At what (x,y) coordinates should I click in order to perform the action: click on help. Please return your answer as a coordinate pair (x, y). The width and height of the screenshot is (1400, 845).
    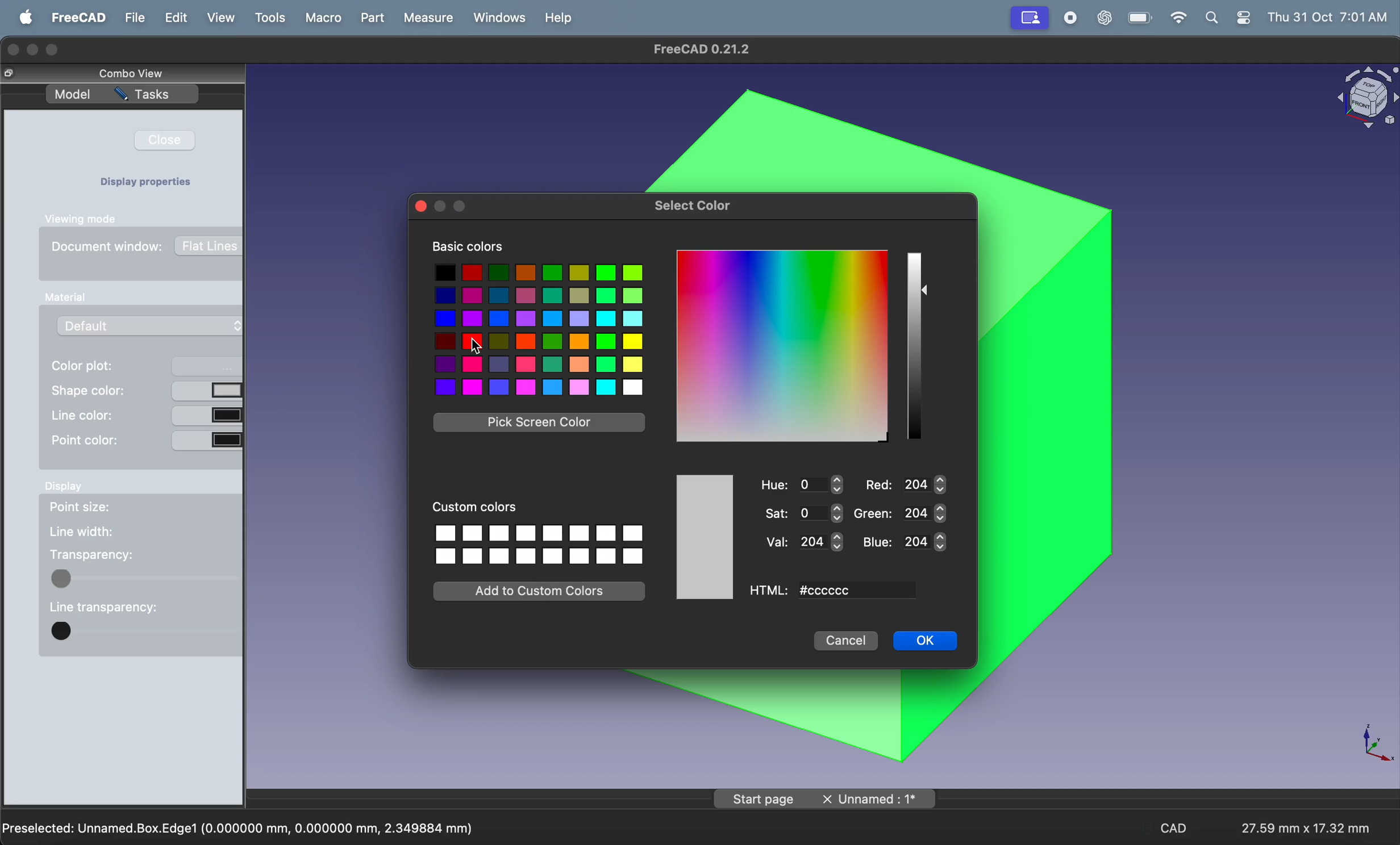
    Looking at the image, I should click on (558, 17).